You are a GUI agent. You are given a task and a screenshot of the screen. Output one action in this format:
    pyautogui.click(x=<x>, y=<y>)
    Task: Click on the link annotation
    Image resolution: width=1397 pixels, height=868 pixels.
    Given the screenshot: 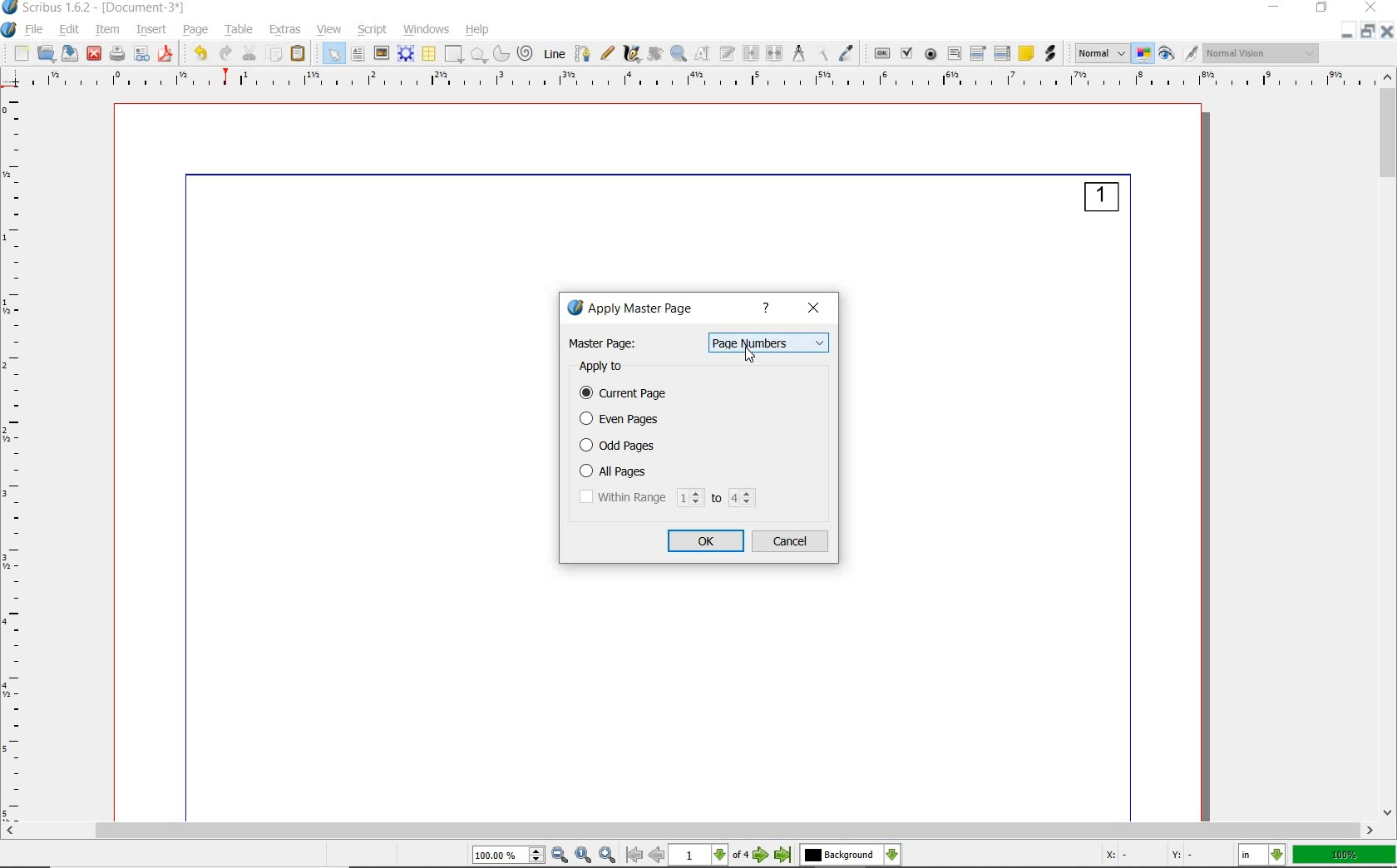 What is the action you would take?
    pyautogui.click(x=1051, y=53)
    